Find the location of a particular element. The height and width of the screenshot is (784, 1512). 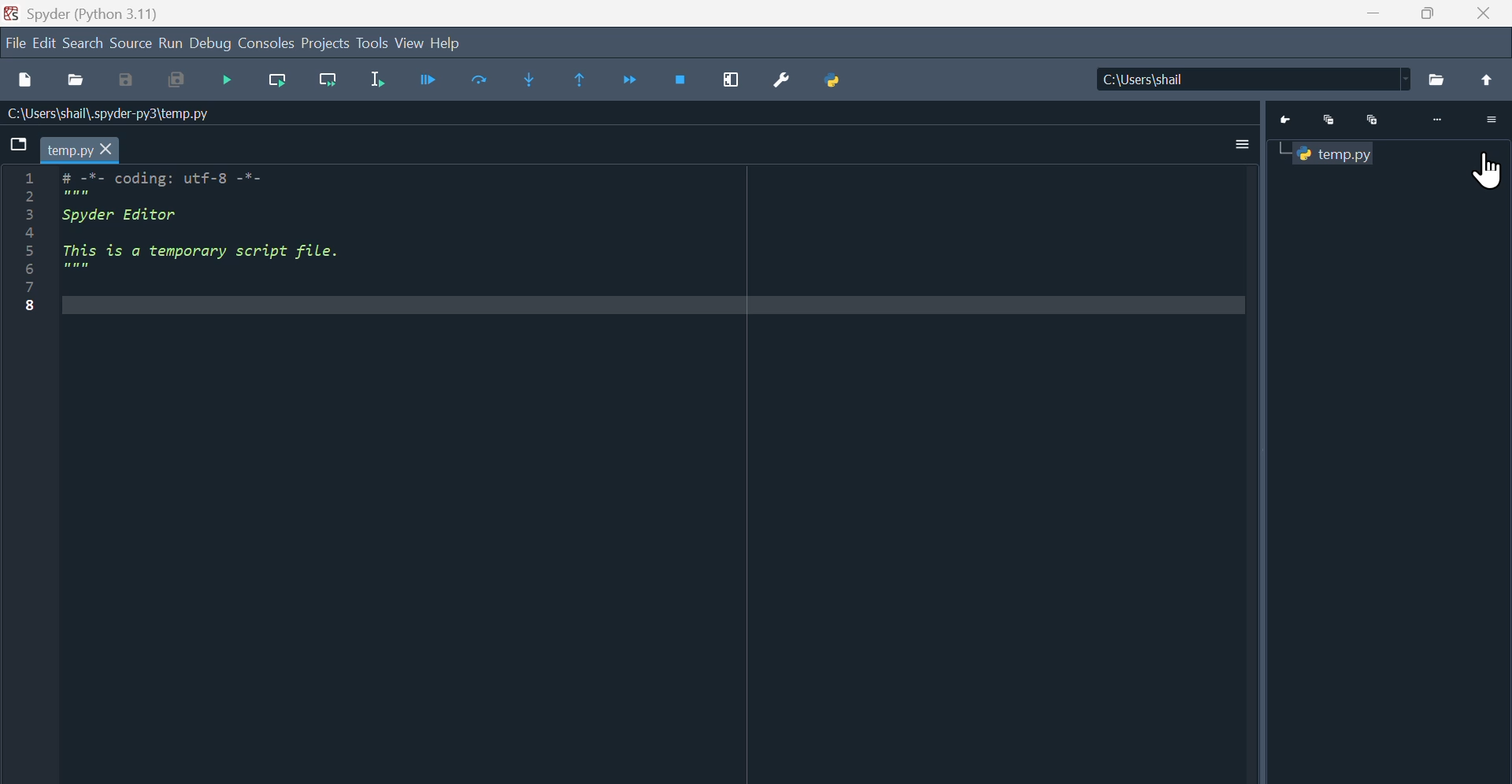

line number is located at coordinates (31, 243).